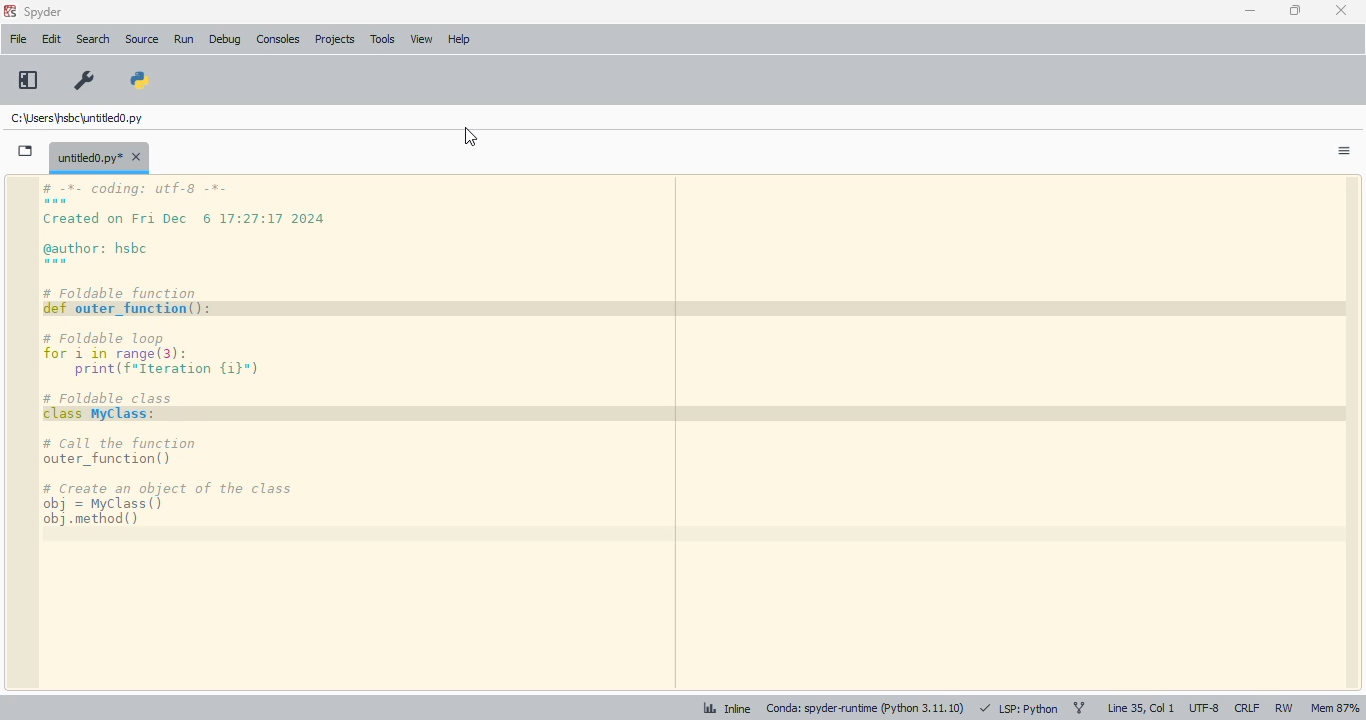  I want to click on logo, so click(10, 11).